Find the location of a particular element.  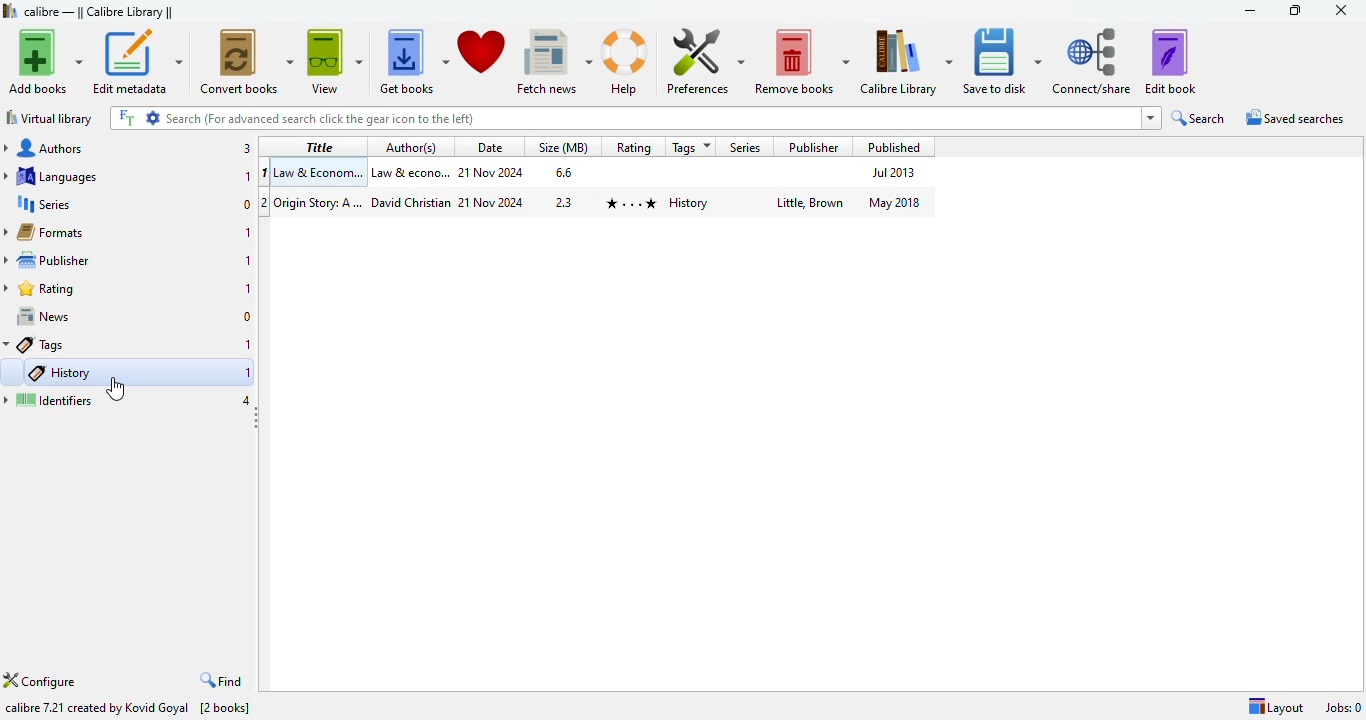

1 is located at coordinates (249, 232).